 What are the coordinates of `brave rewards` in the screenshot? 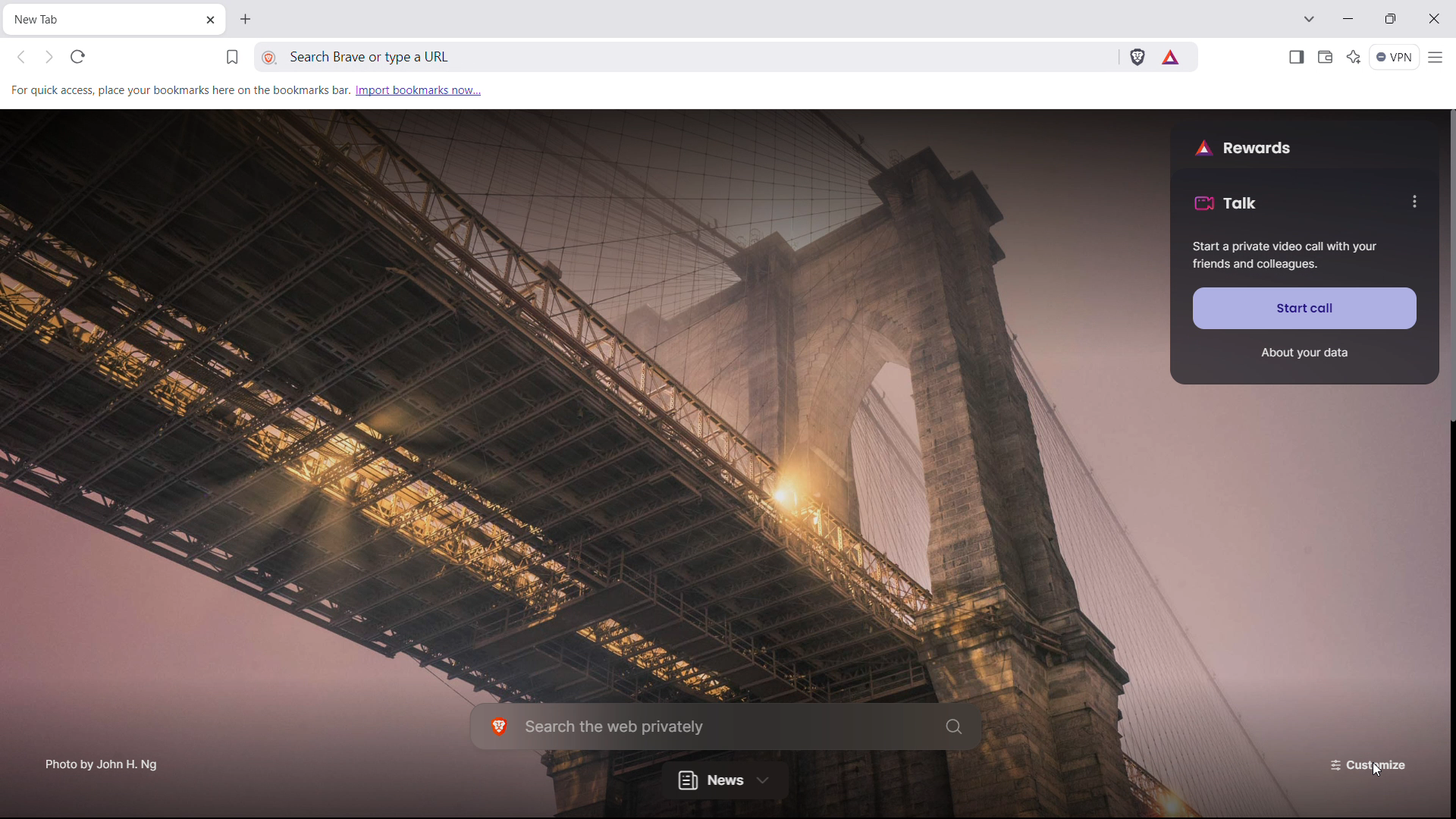 It's located at (1172, 57).